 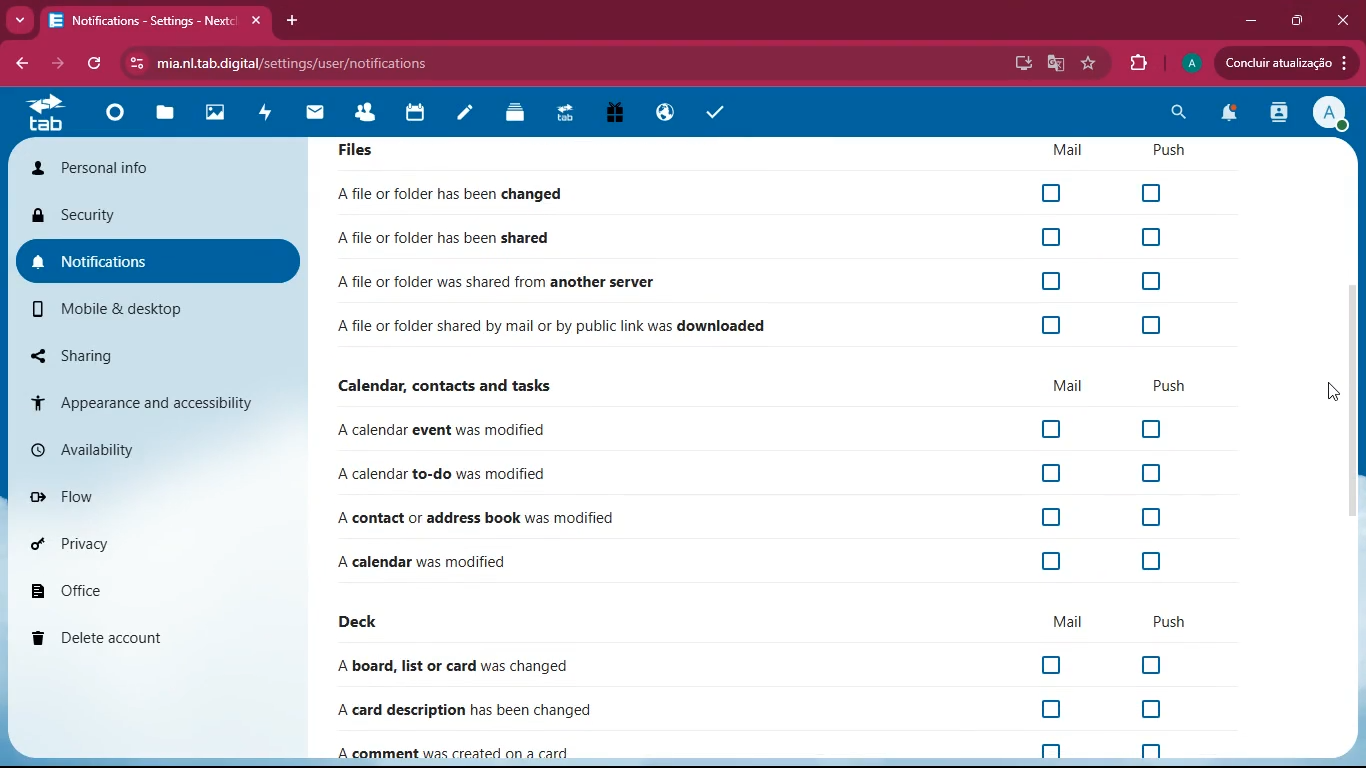 I want to click on off, so click(x=1047, y=473).